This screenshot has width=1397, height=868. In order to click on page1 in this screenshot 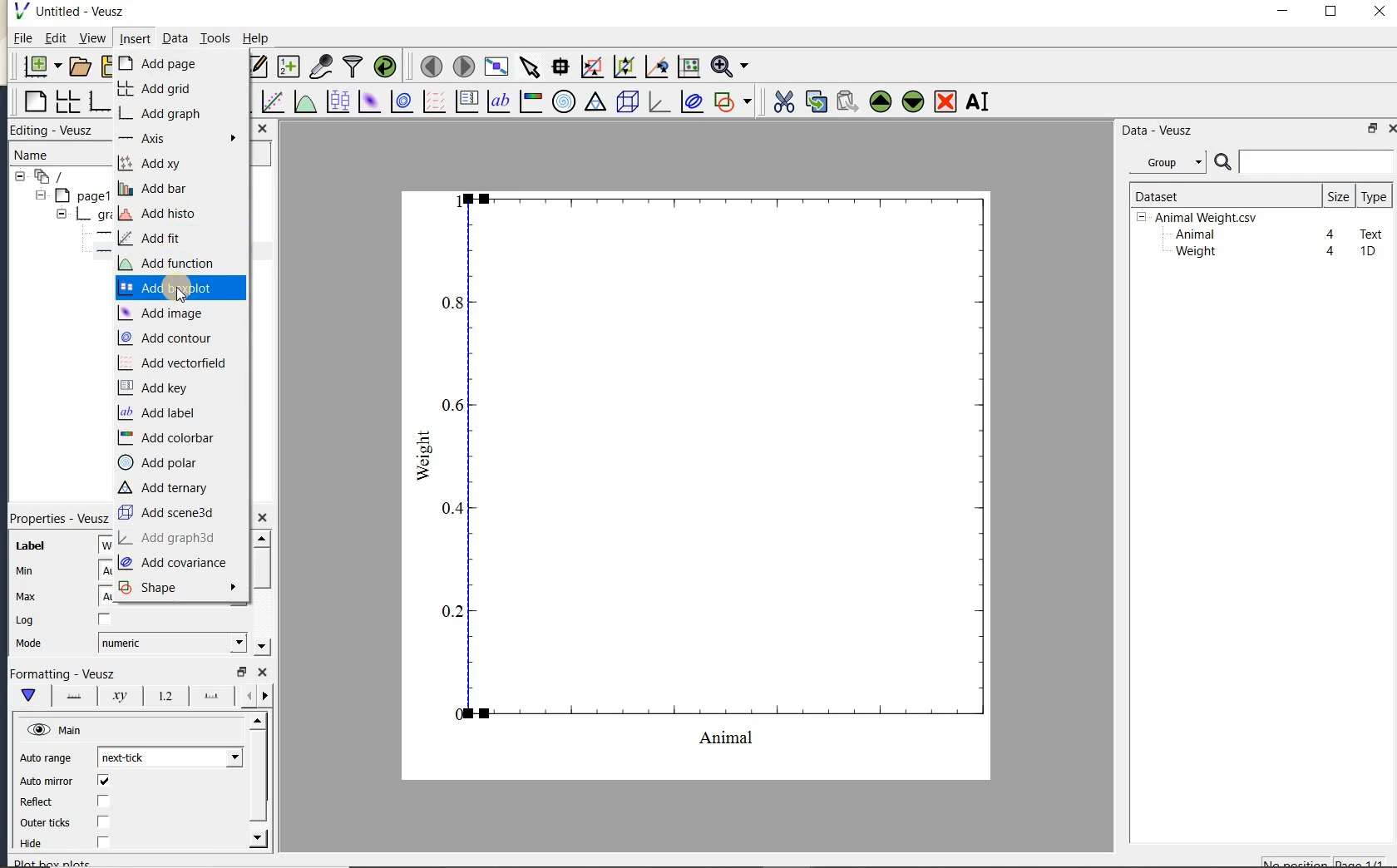, I will do `click(68, 197)`.